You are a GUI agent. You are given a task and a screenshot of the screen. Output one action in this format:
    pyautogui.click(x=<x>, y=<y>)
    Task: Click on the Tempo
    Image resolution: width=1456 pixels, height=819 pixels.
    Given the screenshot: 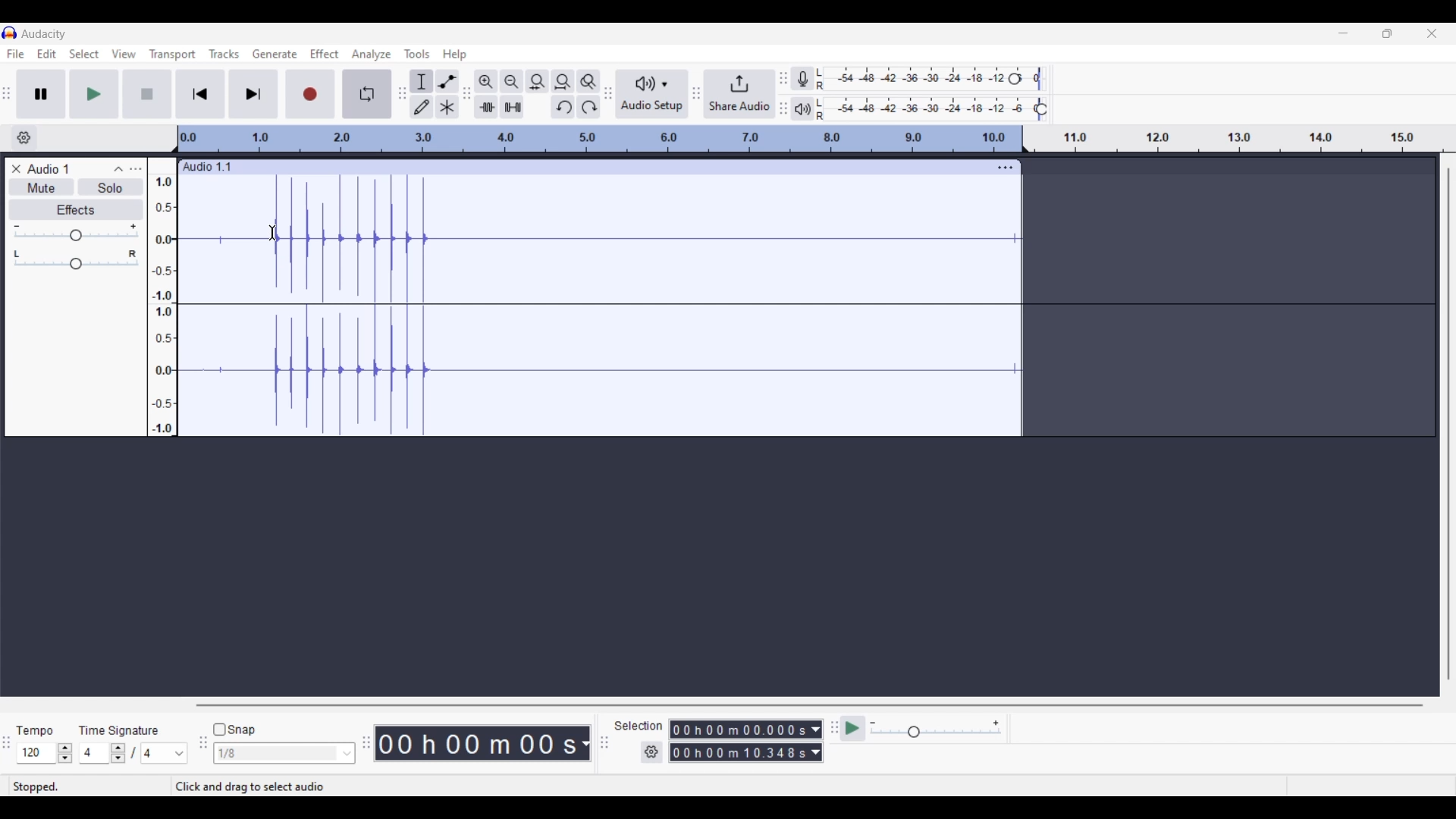 What is the action you would take?
    pyautogui.click(x=34, y=730)
    